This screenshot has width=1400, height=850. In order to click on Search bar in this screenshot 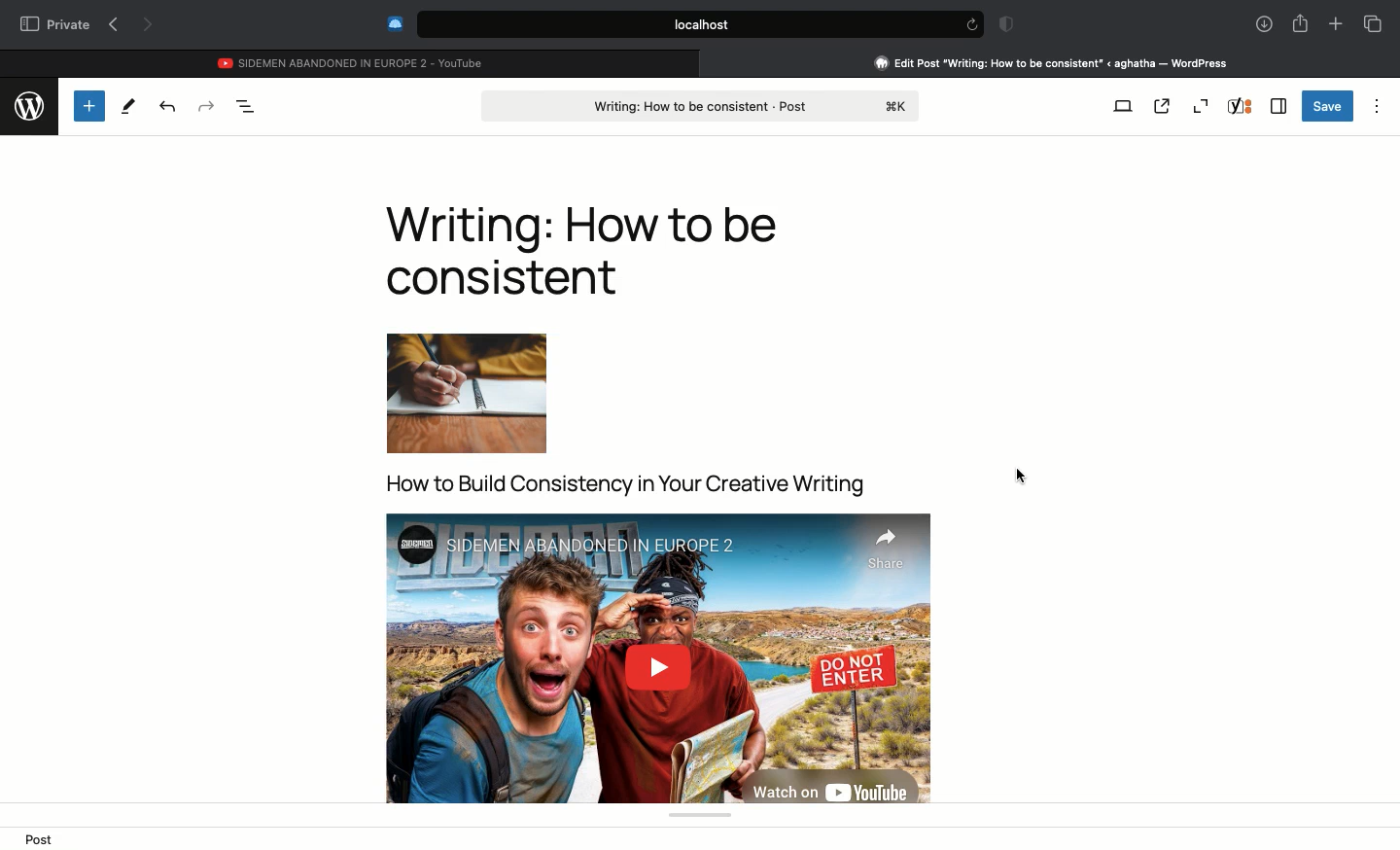, I will do `click(682, 24)`.